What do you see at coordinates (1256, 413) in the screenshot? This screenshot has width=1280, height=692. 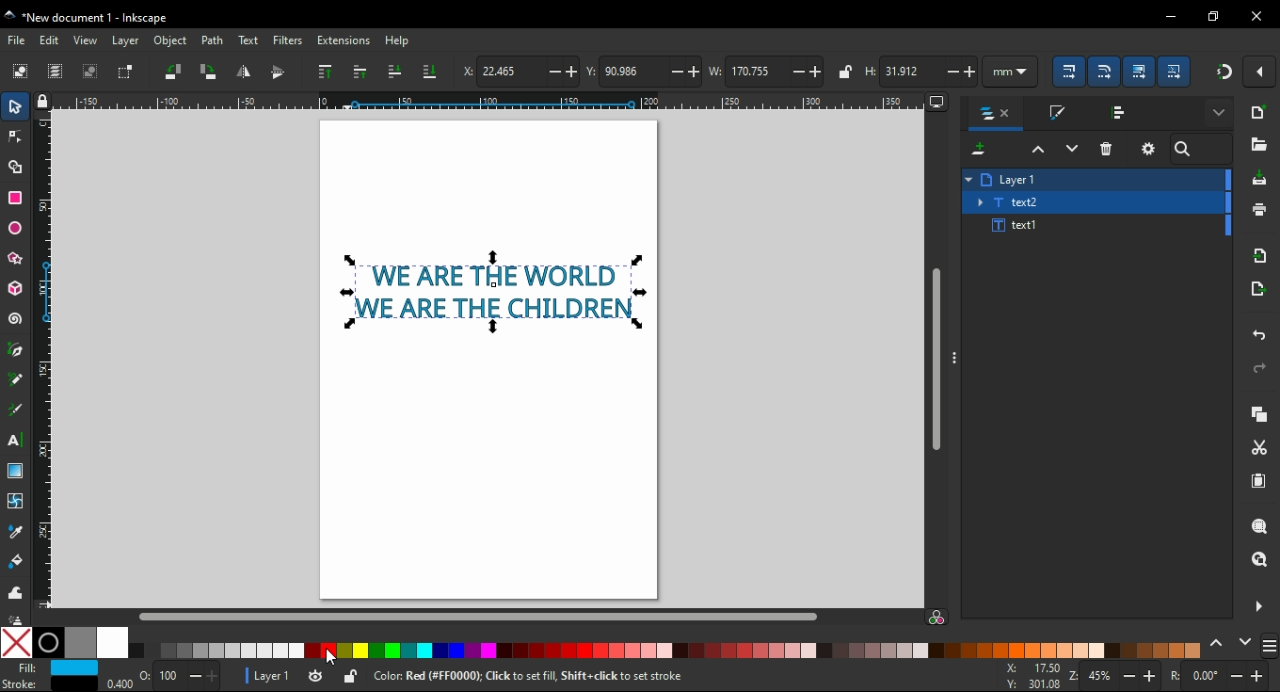 I see `copy` at bounding box center [1256, 413].